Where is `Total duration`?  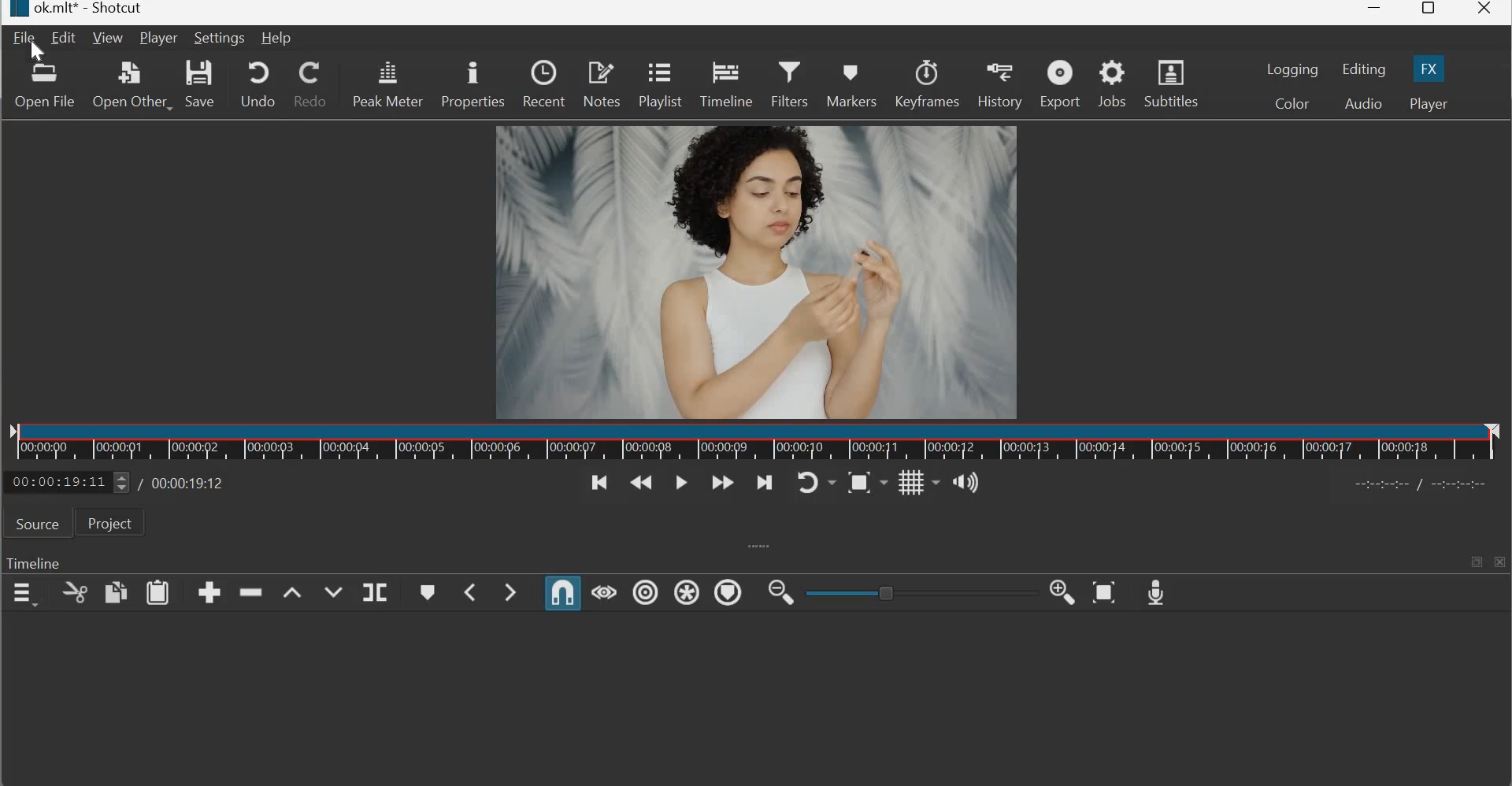
Total duration is located at coordinates (188, 483).